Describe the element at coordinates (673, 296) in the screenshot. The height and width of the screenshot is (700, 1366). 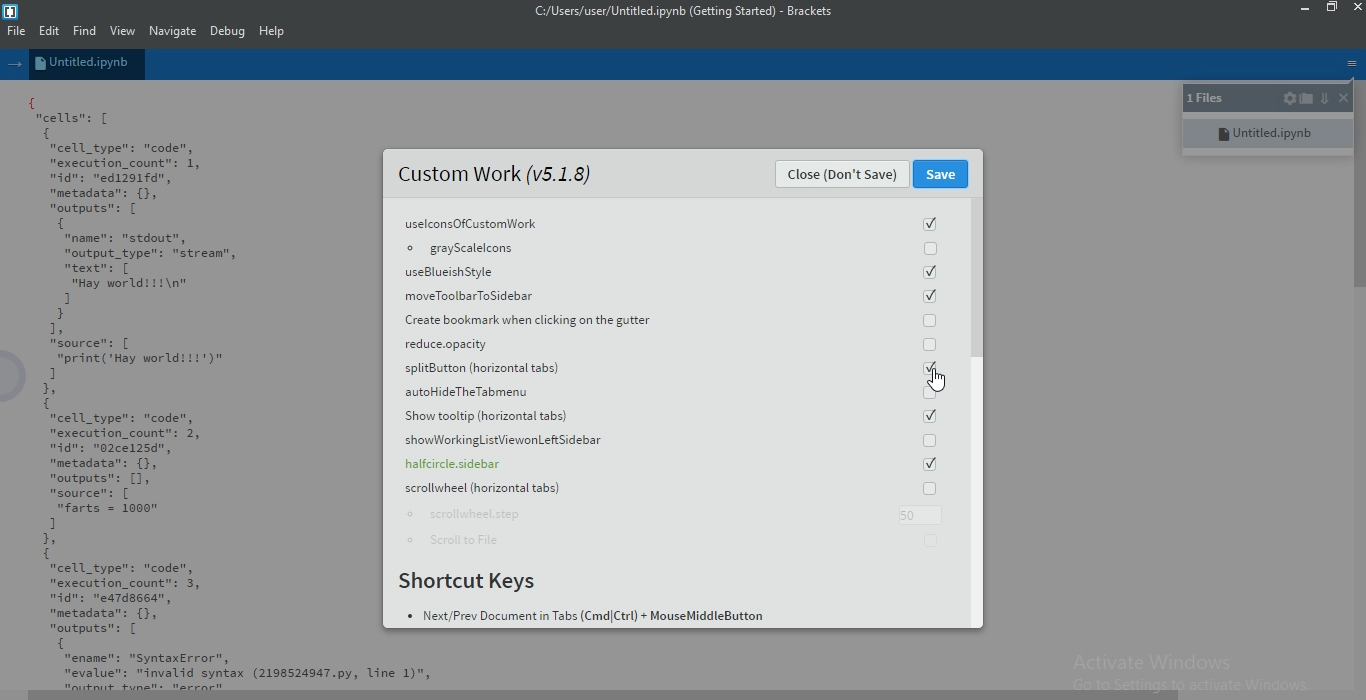
I see `moveToolbarToSidebar` at that location.